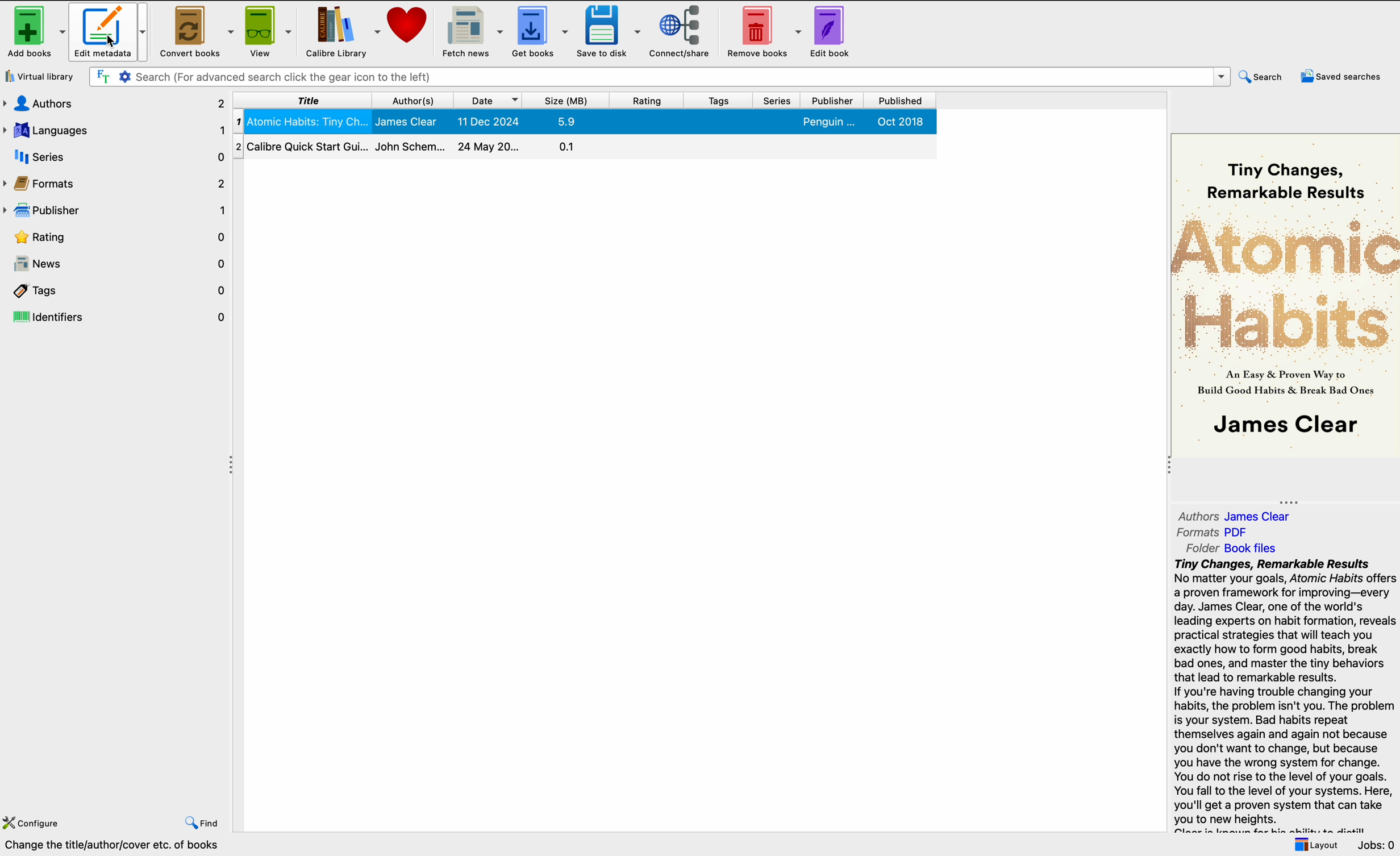 Image resolution: width=1400 pixels, height=856 pixels. I want to click on get books, so click(541, 31).